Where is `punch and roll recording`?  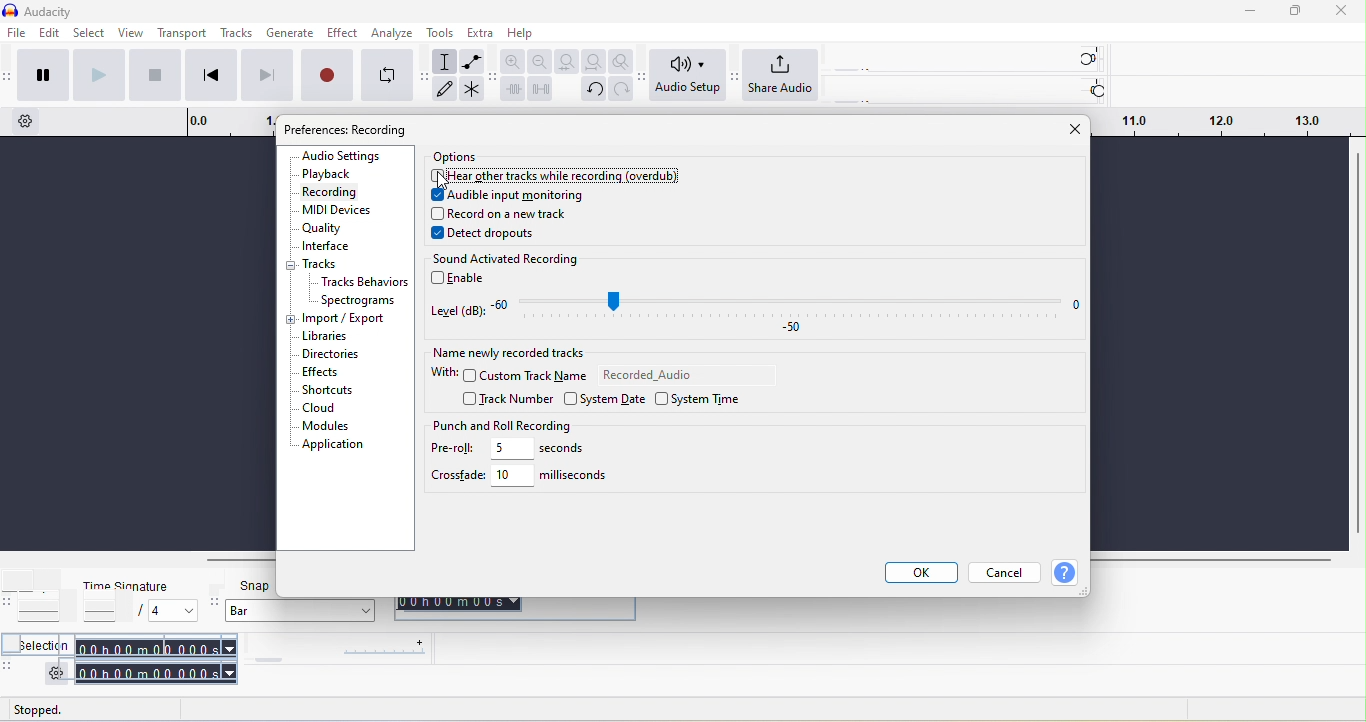 punch and roll recording is located at coordinates (513, 426).